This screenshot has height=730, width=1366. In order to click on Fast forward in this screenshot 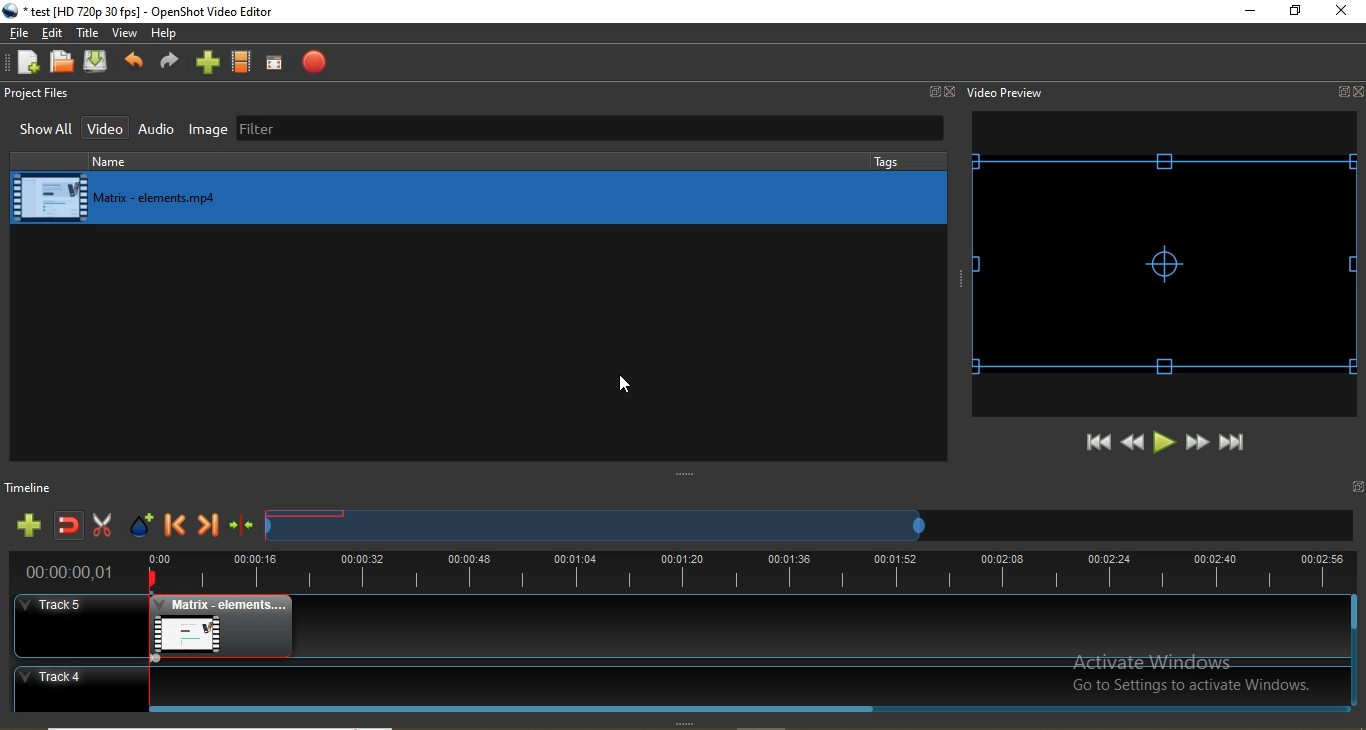, I will do `click(1198, 443)`.